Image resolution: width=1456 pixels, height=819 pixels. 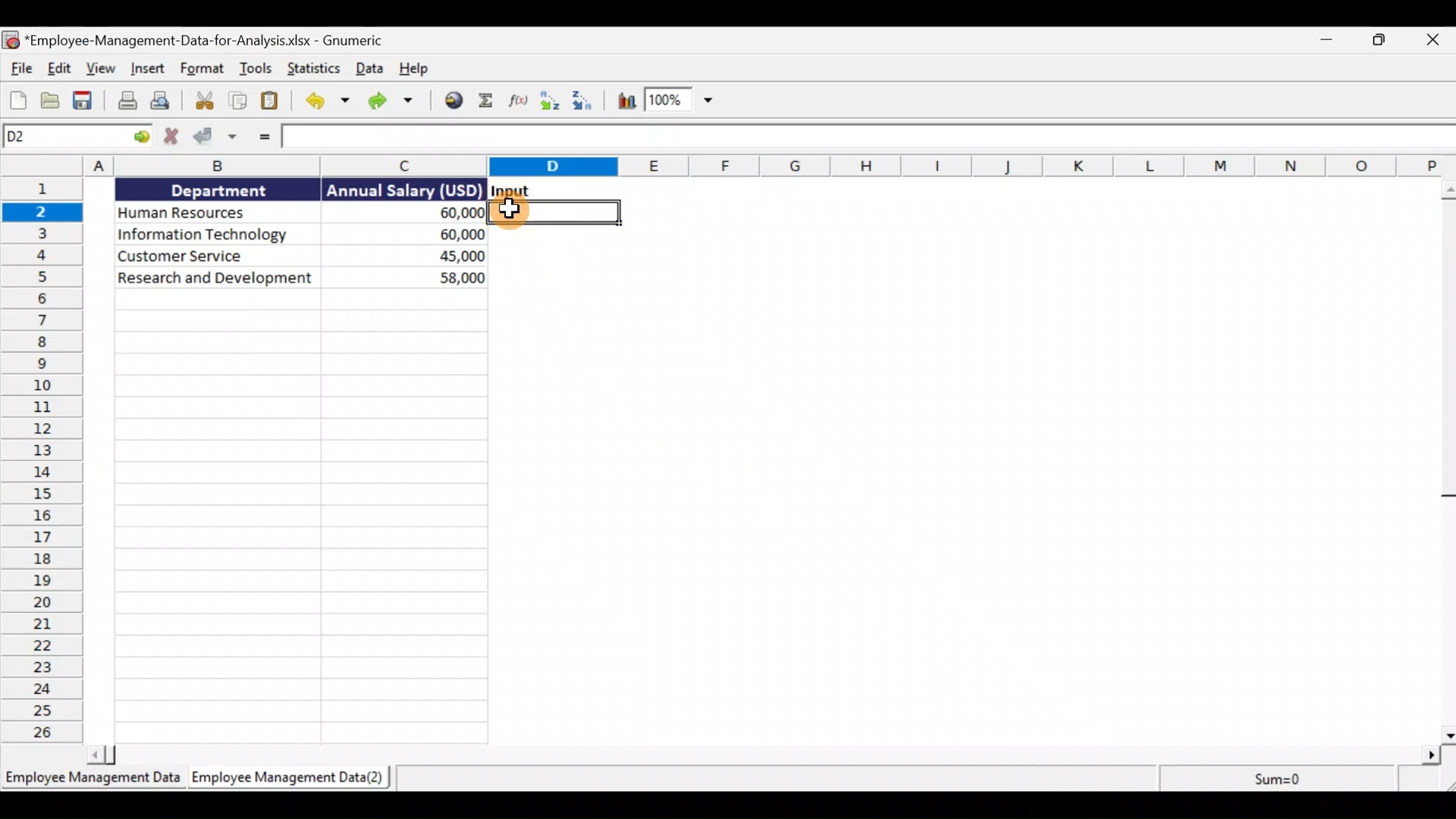 I want to click on Sheet 2, so click(x=288, y=779).